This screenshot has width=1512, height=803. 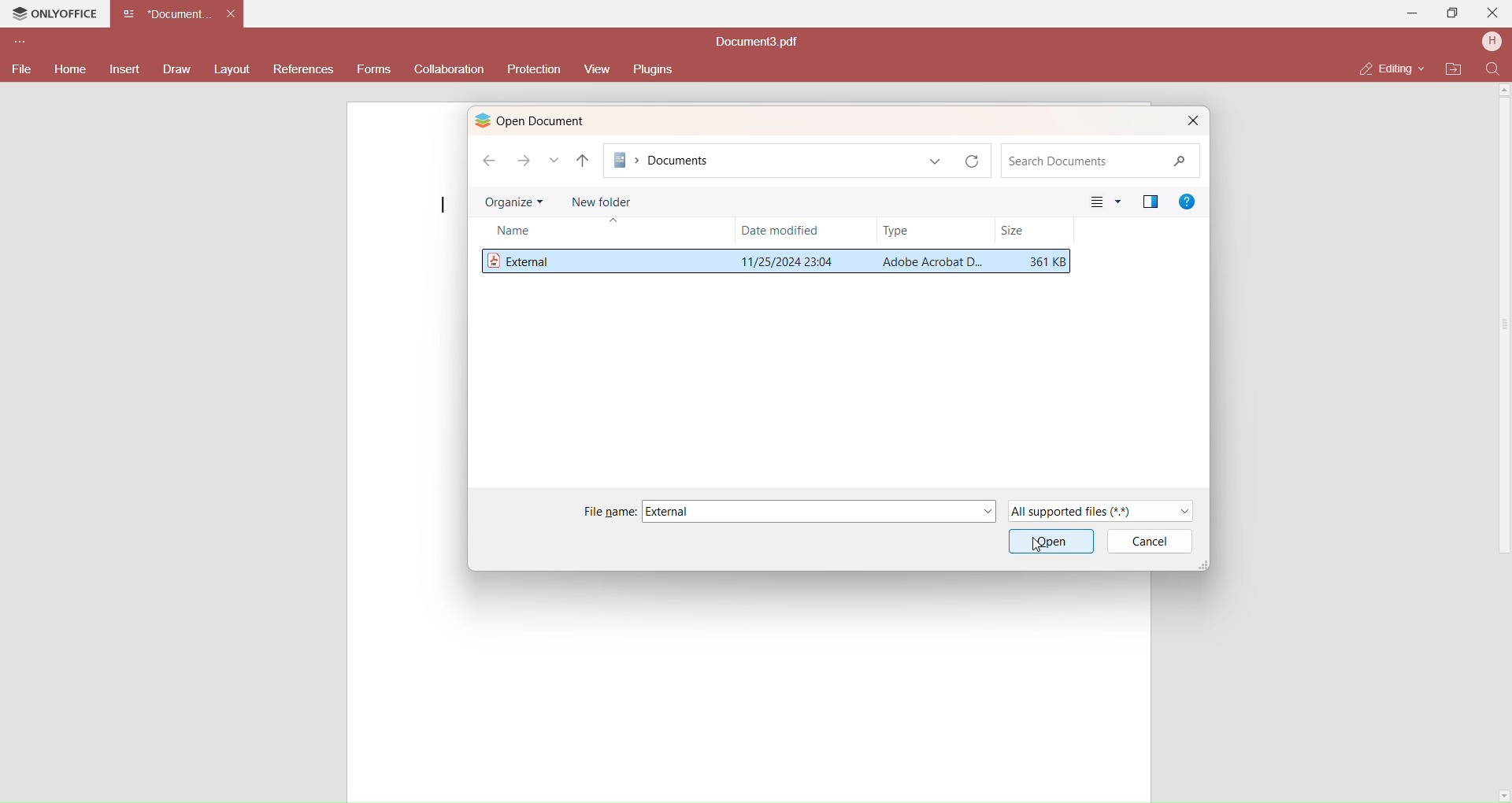 I want to click on Date Modified, so click(x=785, y=260).